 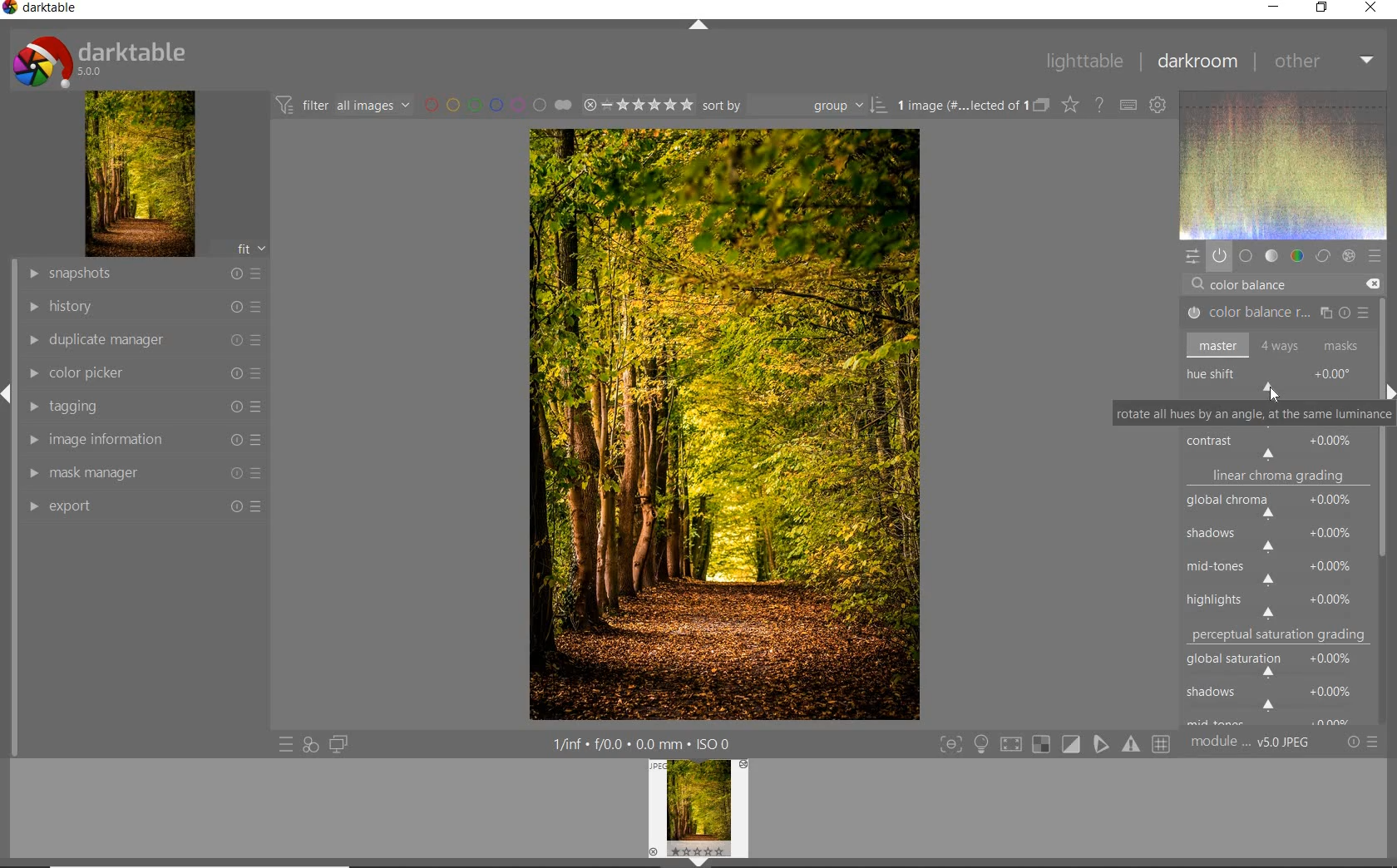 What do you see at coordinates (1041, 106) in the screenshot?
I see `collapse grouped image` at bounding box center [1041, 106].